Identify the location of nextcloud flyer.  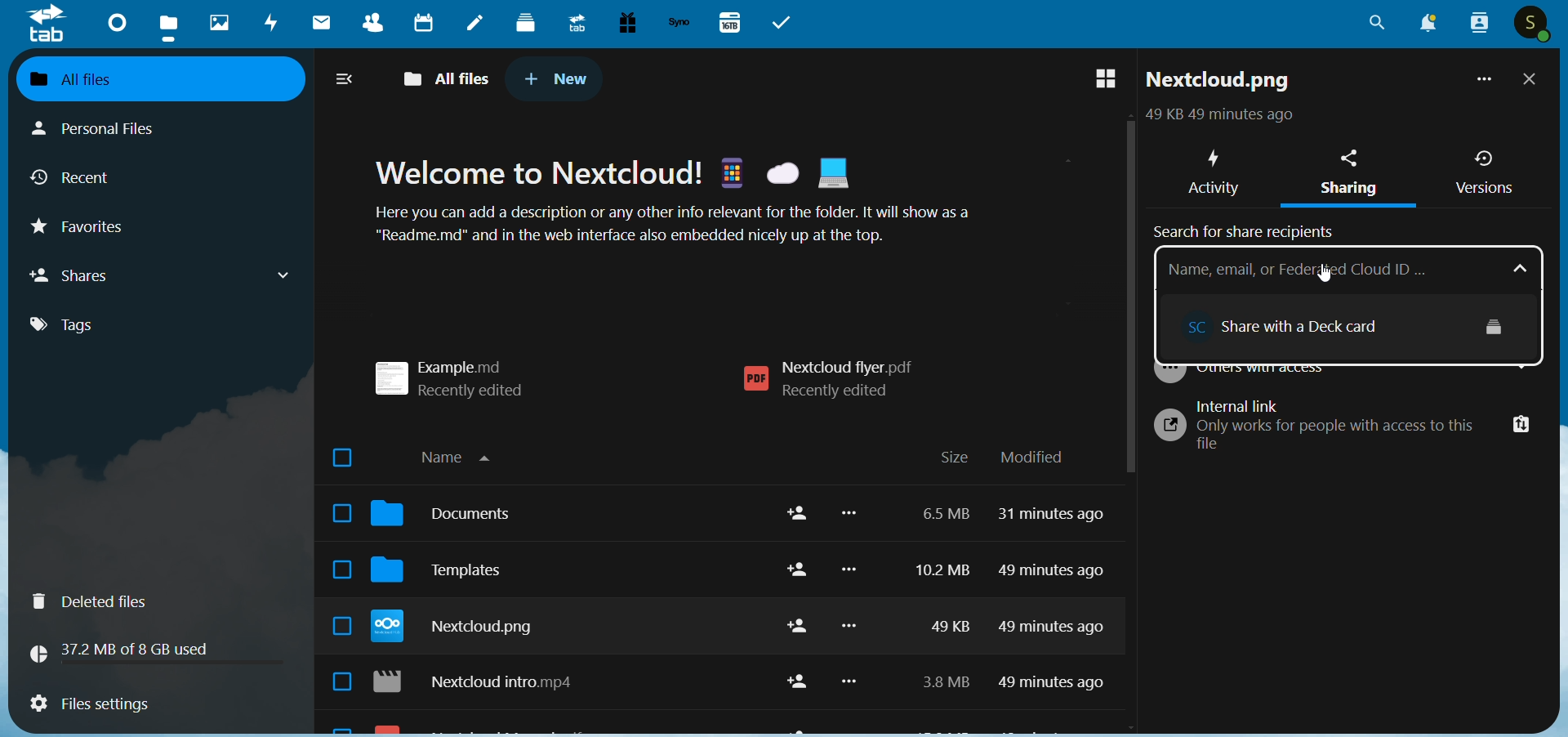
(837, 380).